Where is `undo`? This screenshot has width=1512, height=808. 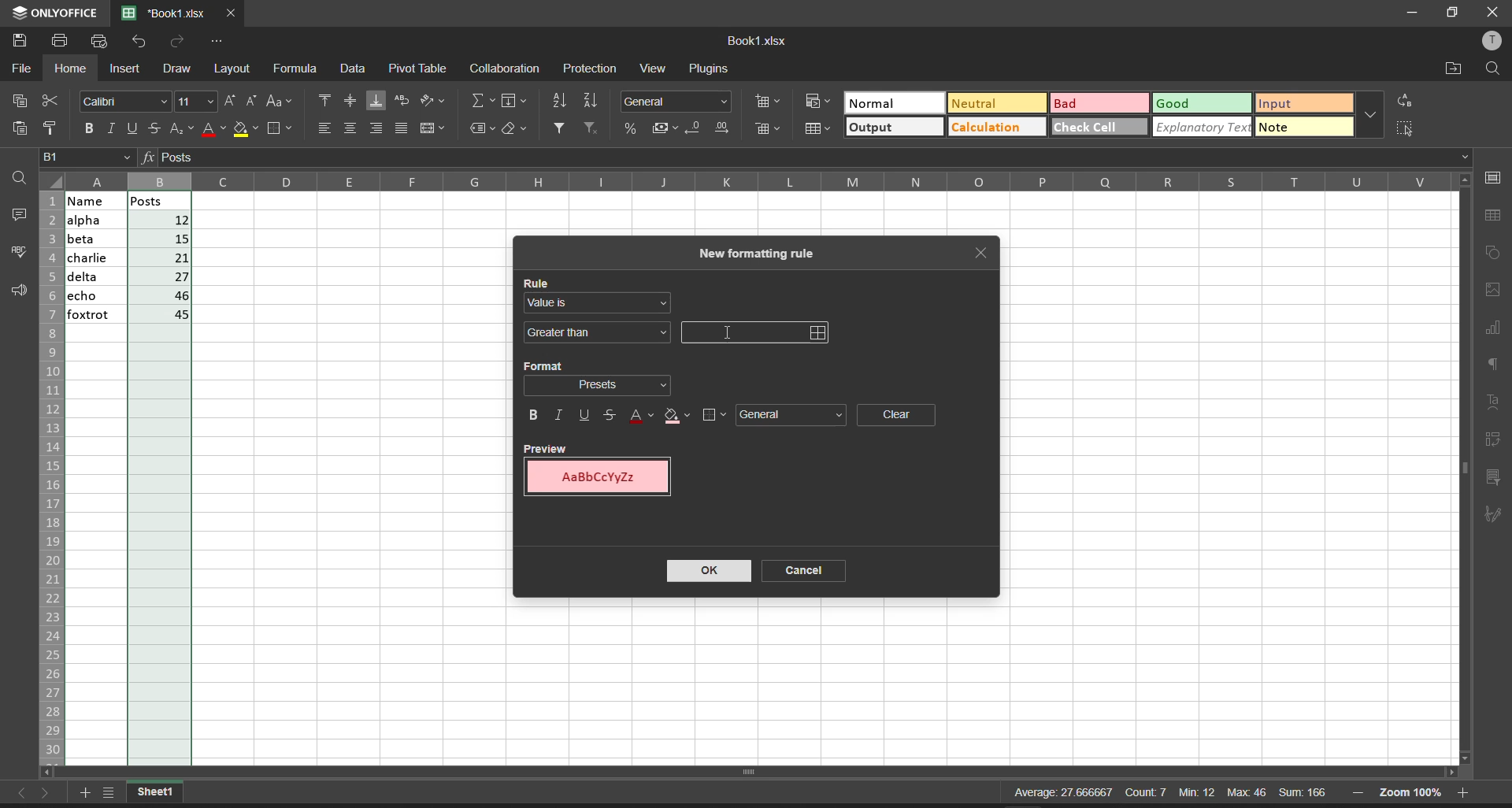 undo is located at coordinates (140, 42).